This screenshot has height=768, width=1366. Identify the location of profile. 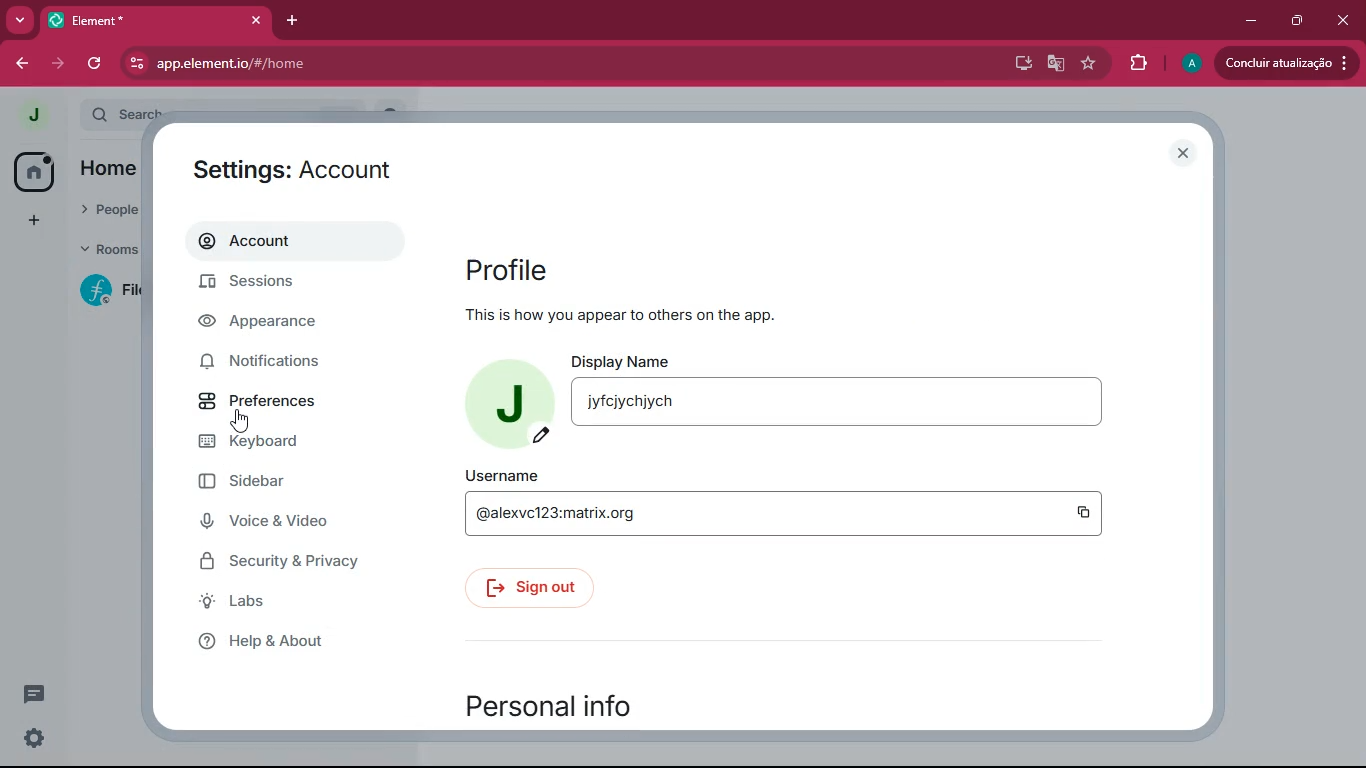
(1188, 64).